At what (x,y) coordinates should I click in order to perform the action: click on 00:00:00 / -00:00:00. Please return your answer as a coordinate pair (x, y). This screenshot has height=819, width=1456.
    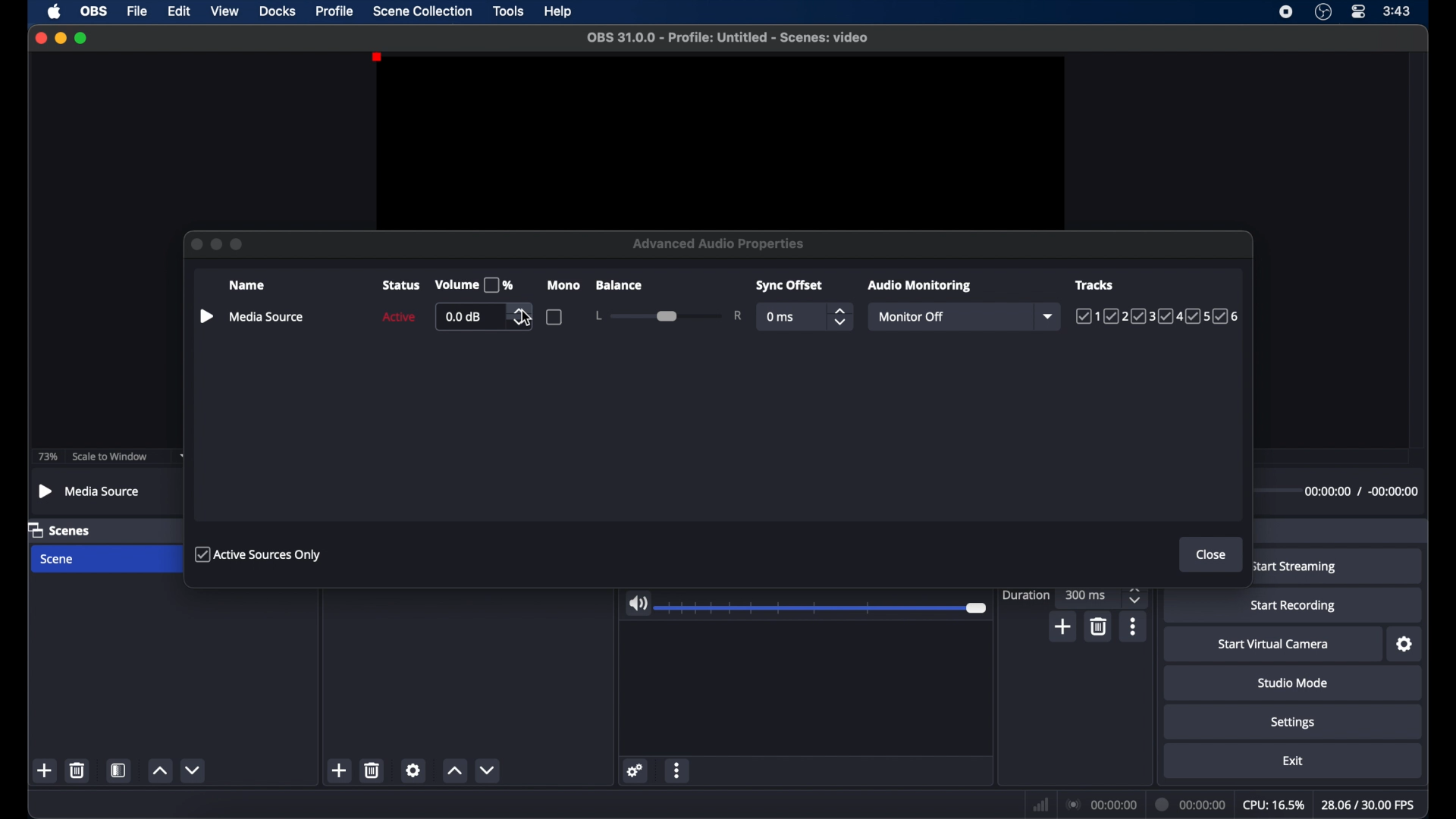
    Looking at the image, I should click on (1357, 492).